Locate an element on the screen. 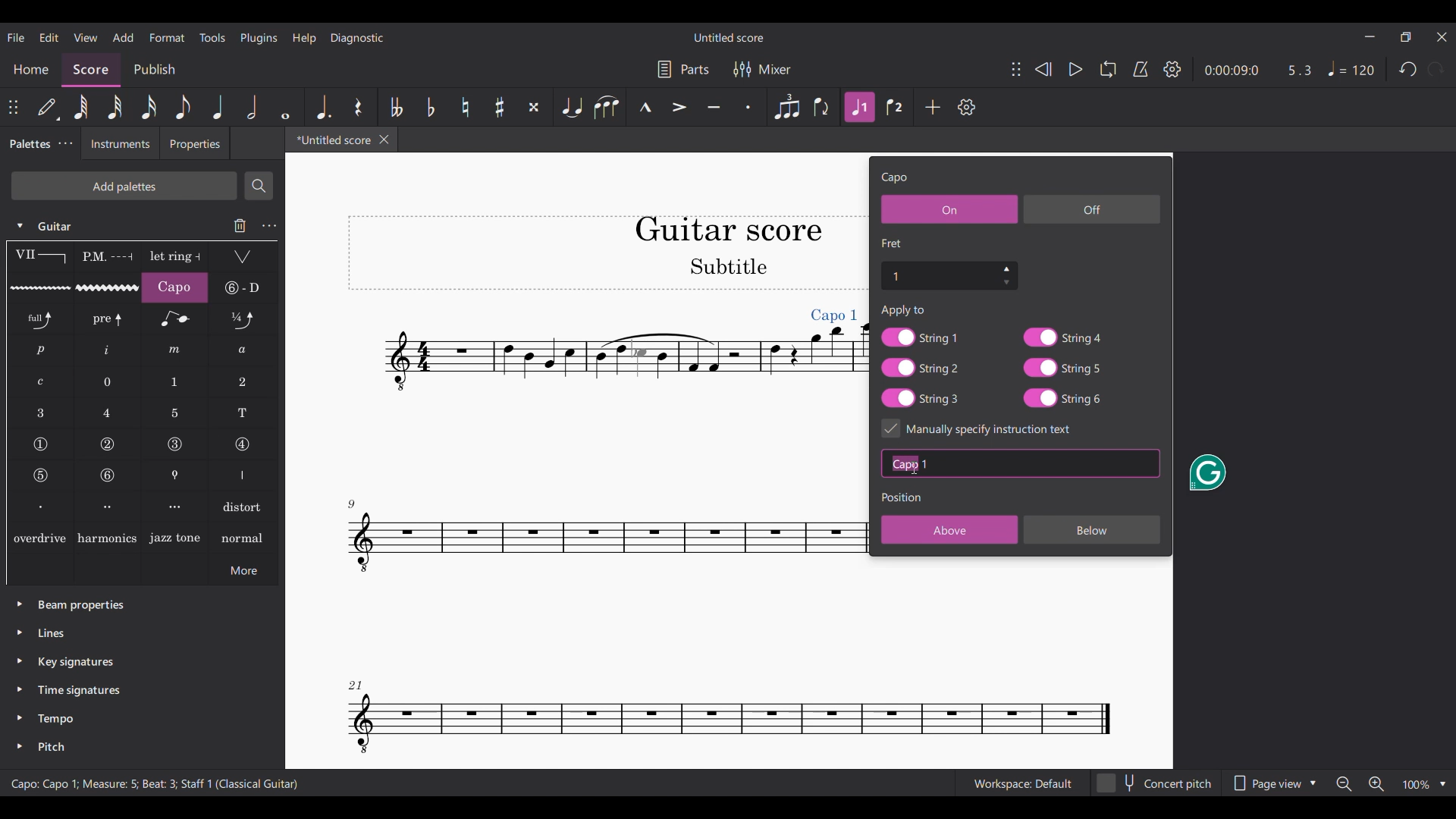  RH guitar fingering i is located at coordinates (108, 351).